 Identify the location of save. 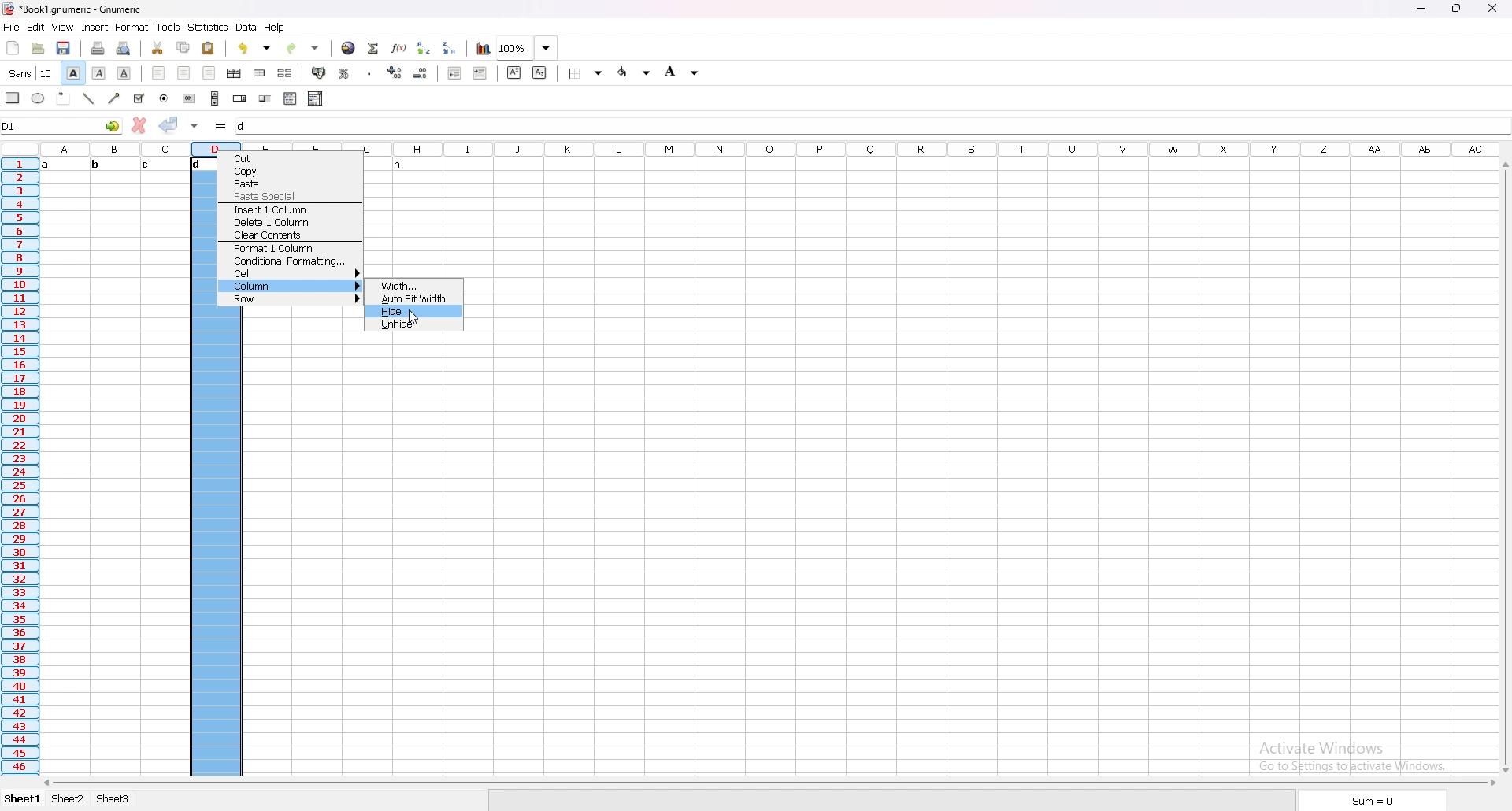
(65, 48).